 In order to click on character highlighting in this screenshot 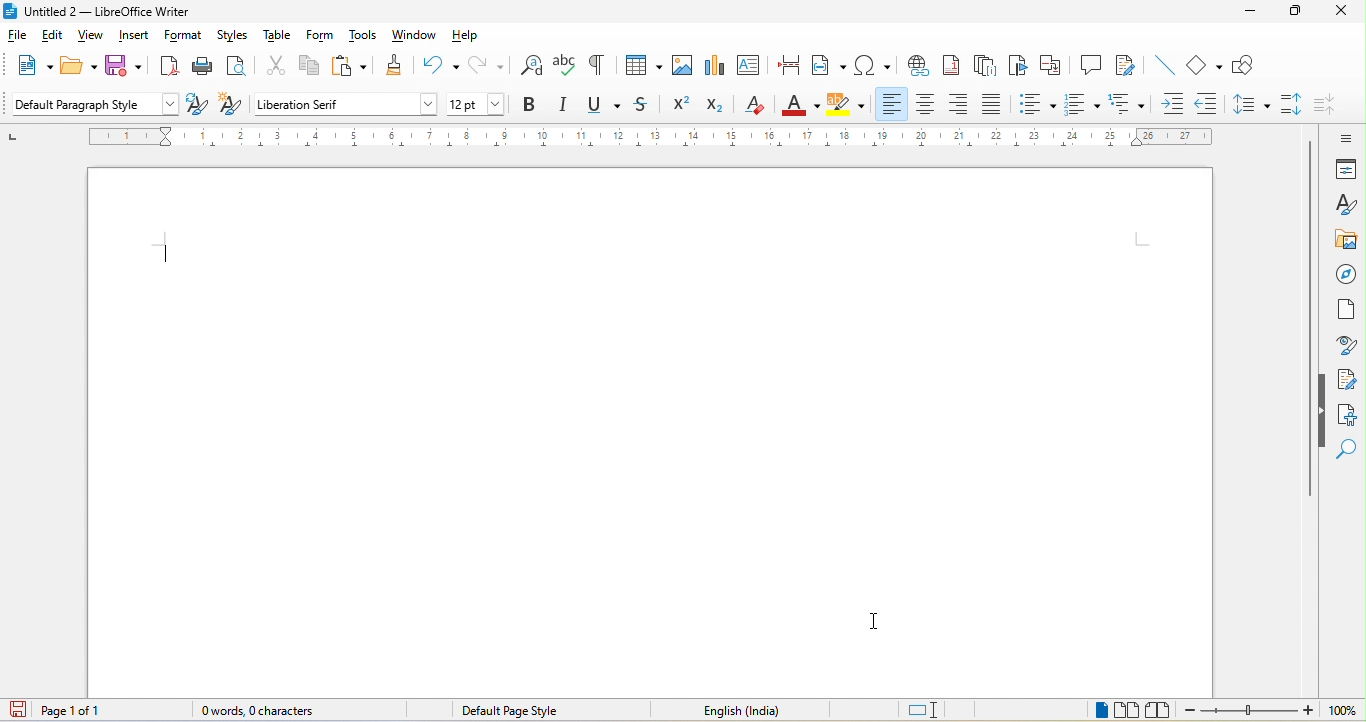, I will do `click(847, 107)`.